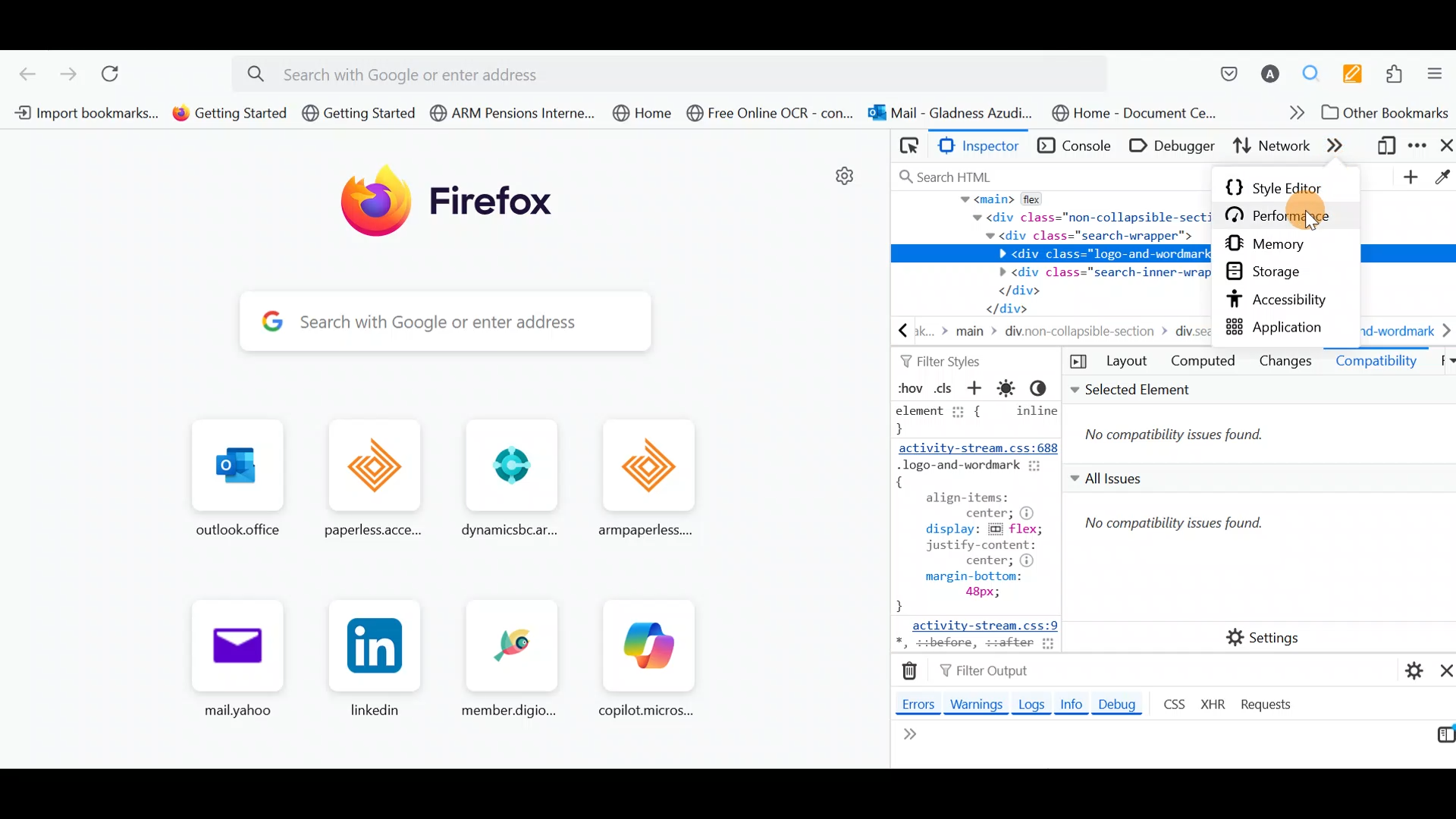 The height and width of the screenshot is (819, 1456). What do you see at coordinates (944, 387) in the screenshot?
I see `Toggle classes` at bounding box center [944, 387].